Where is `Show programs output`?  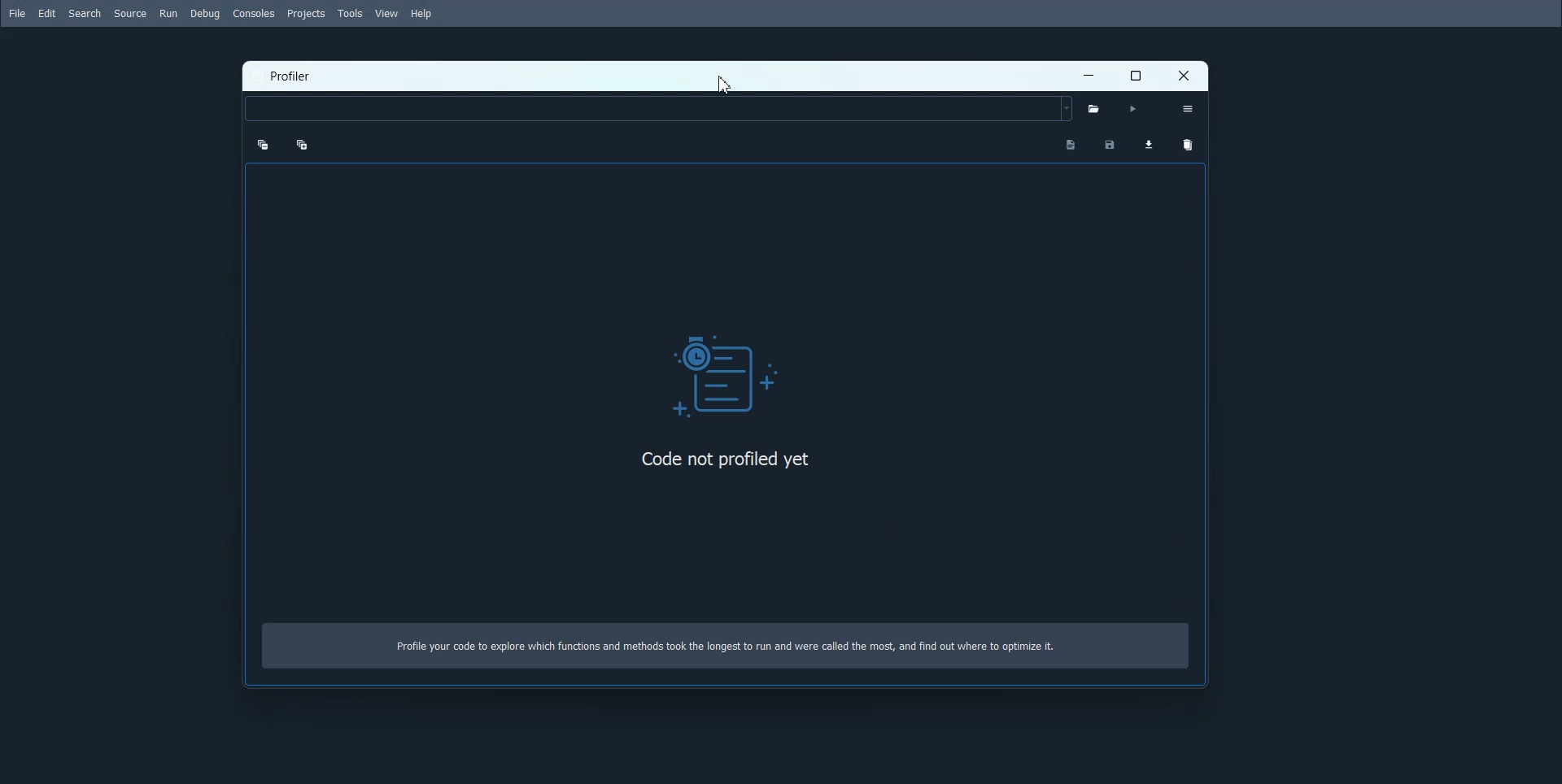
Show programs output is located at coordinates (1071, 145).